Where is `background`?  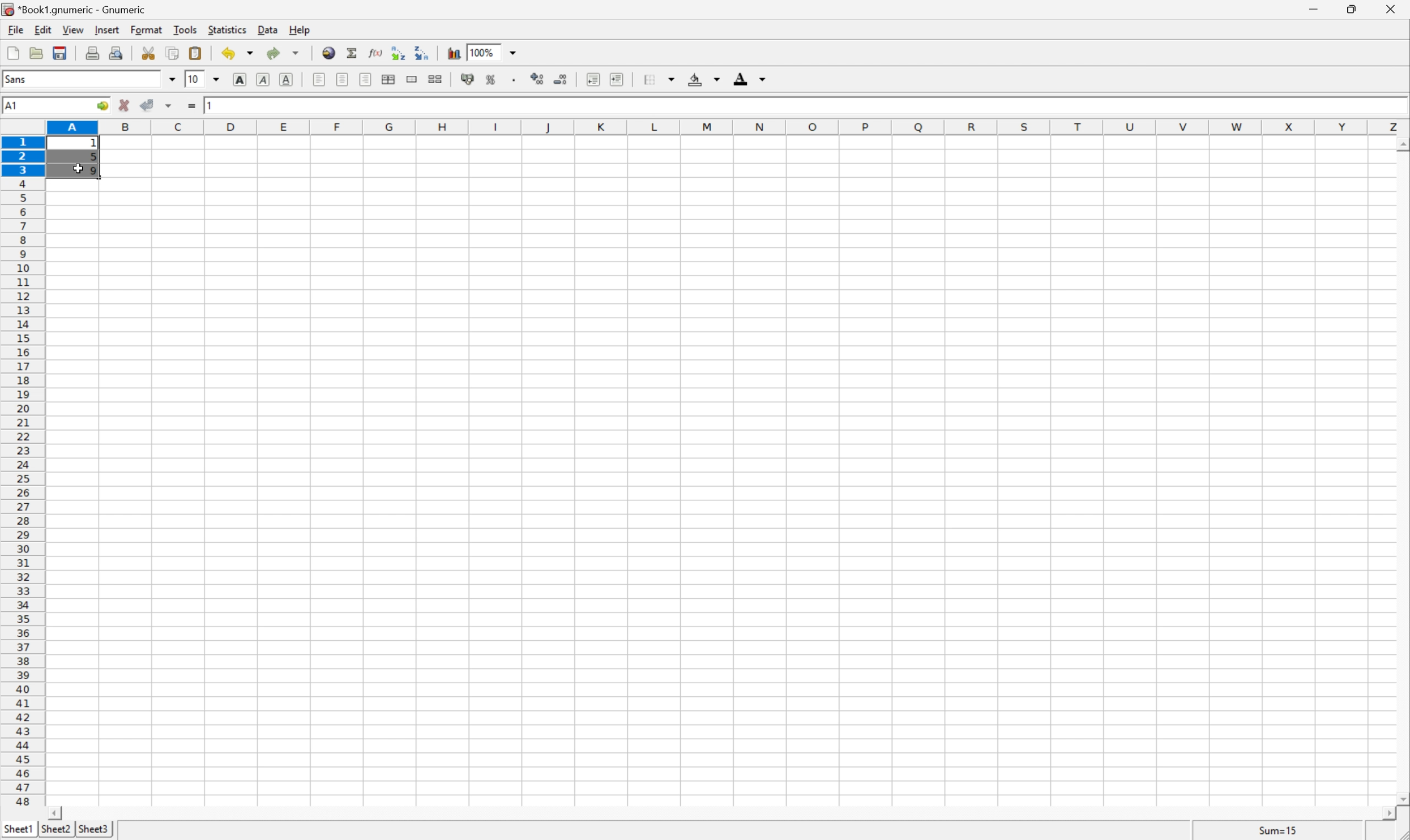
background is located at coordinates (704, 78).